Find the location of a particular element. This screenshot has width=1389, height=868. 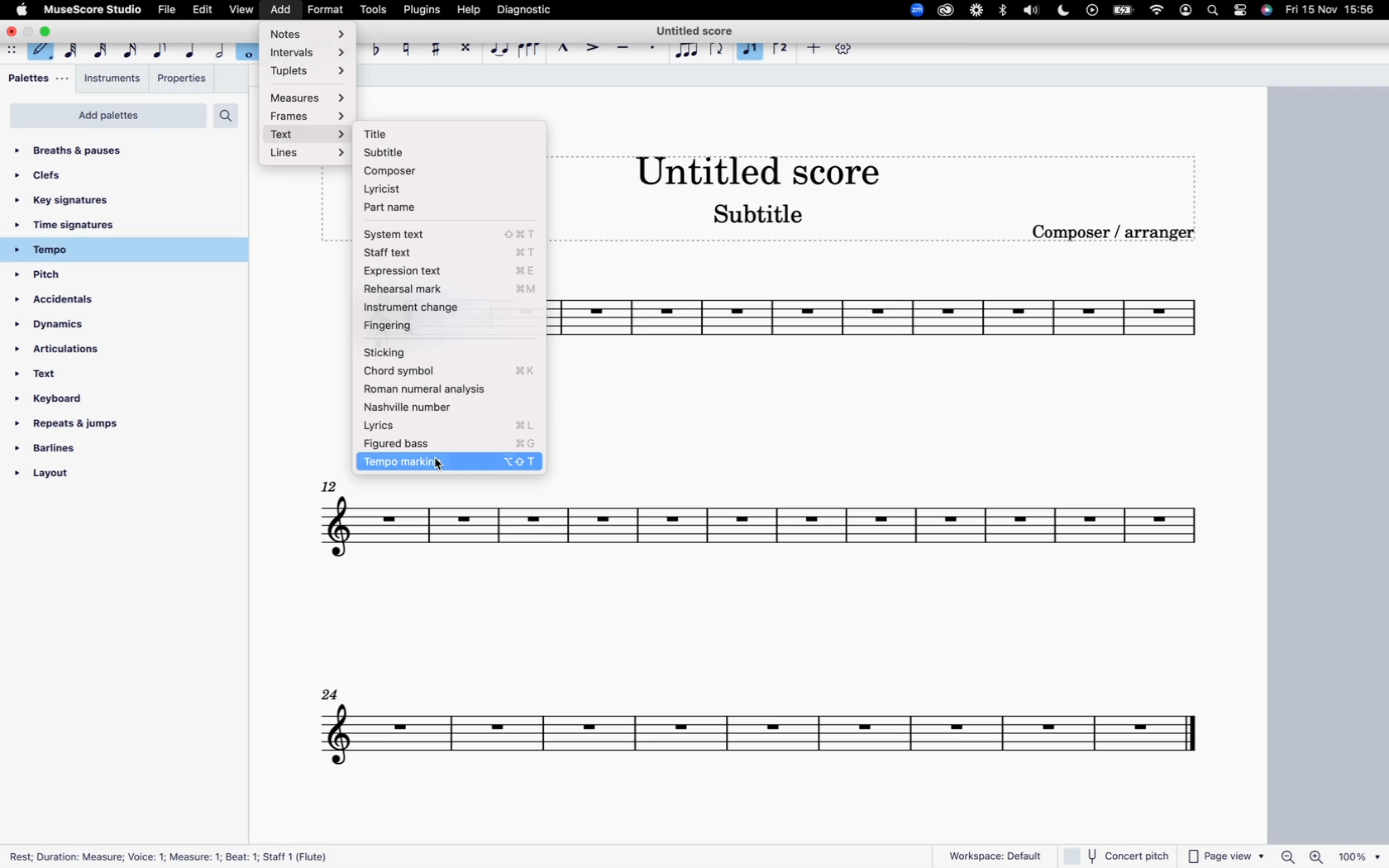

do not disturb is located at coordinates (1063, 10).